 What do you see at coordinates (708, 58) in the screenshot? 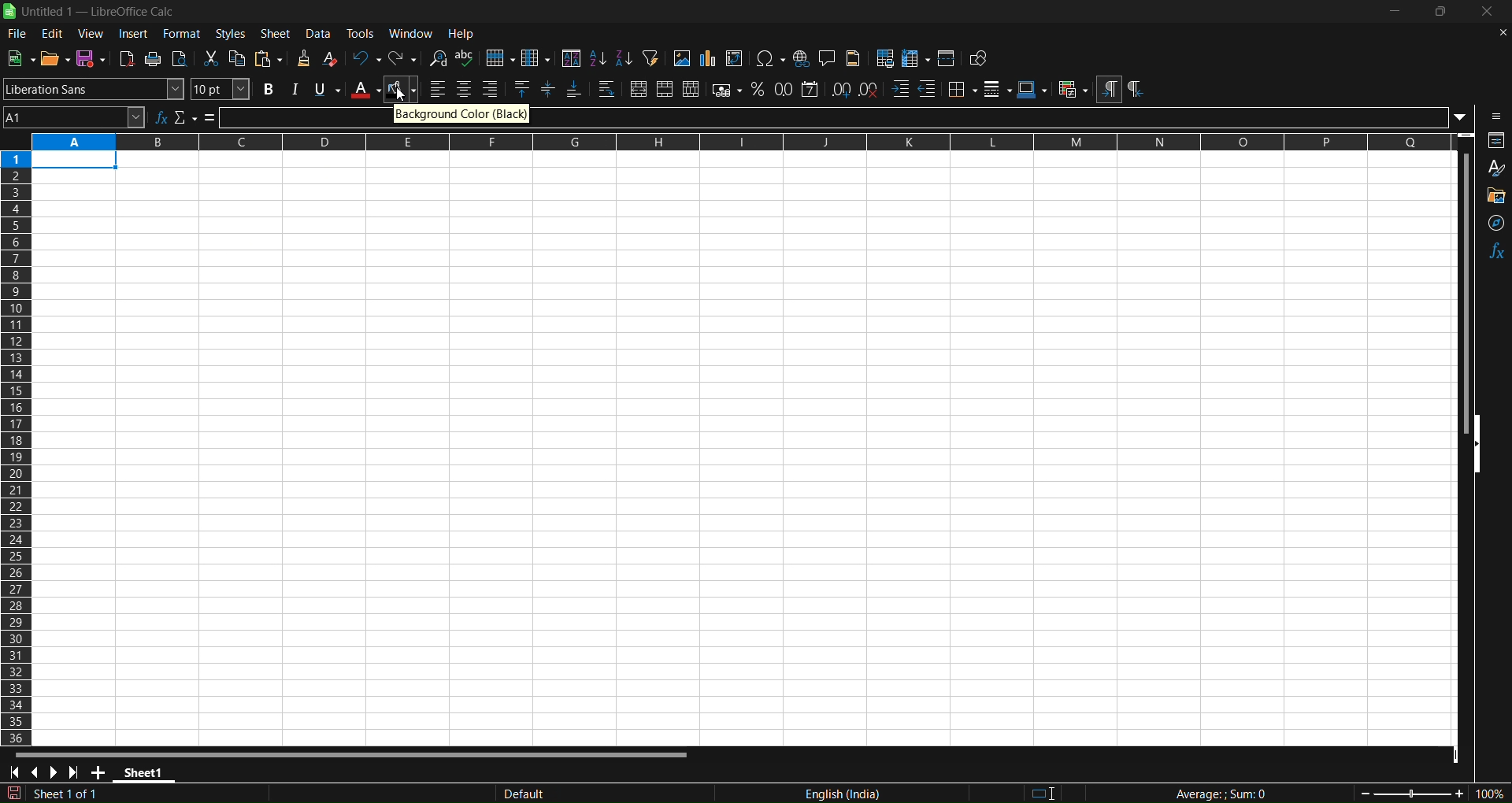
I see `insert chart` at bounding box center [708, 58].